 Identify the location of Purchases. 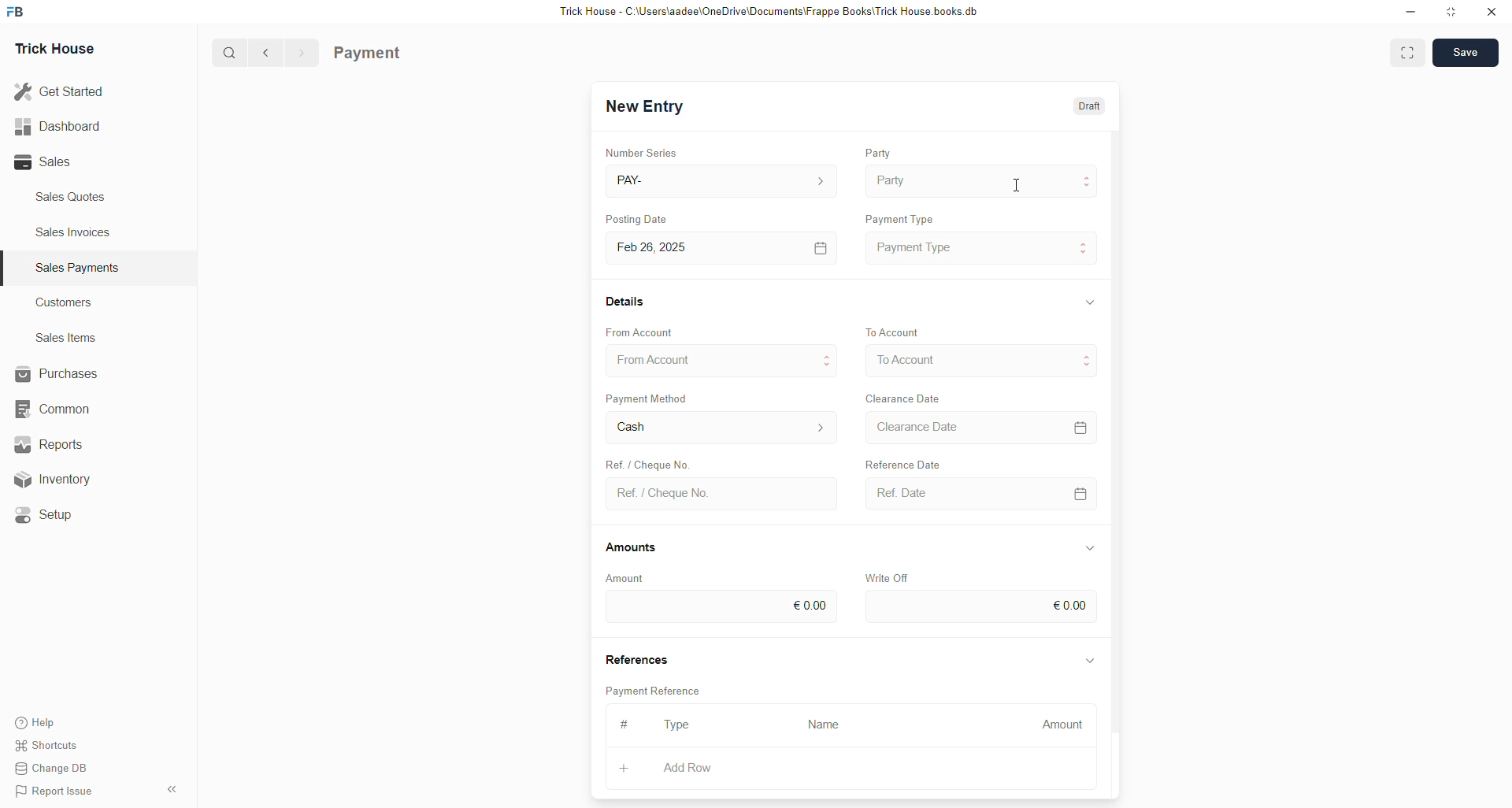
(60, 374).